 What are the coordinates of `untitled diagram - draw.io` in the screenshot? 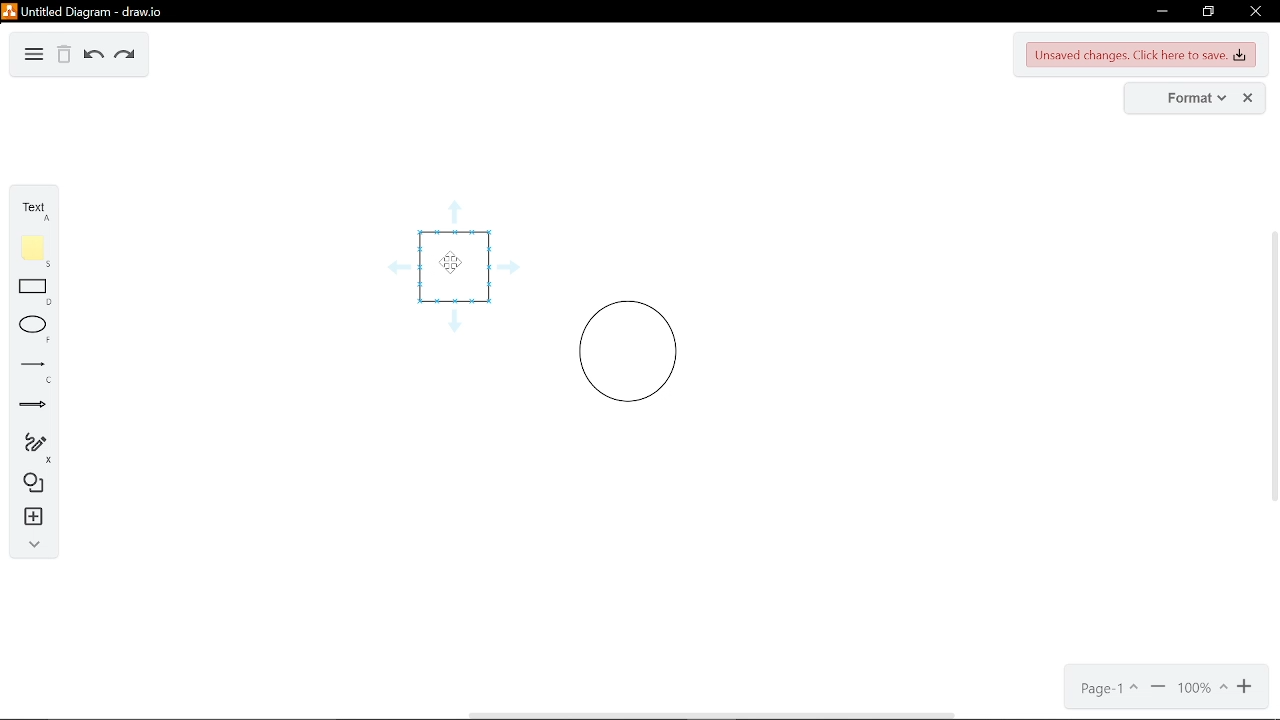 It's located at (84, 10).